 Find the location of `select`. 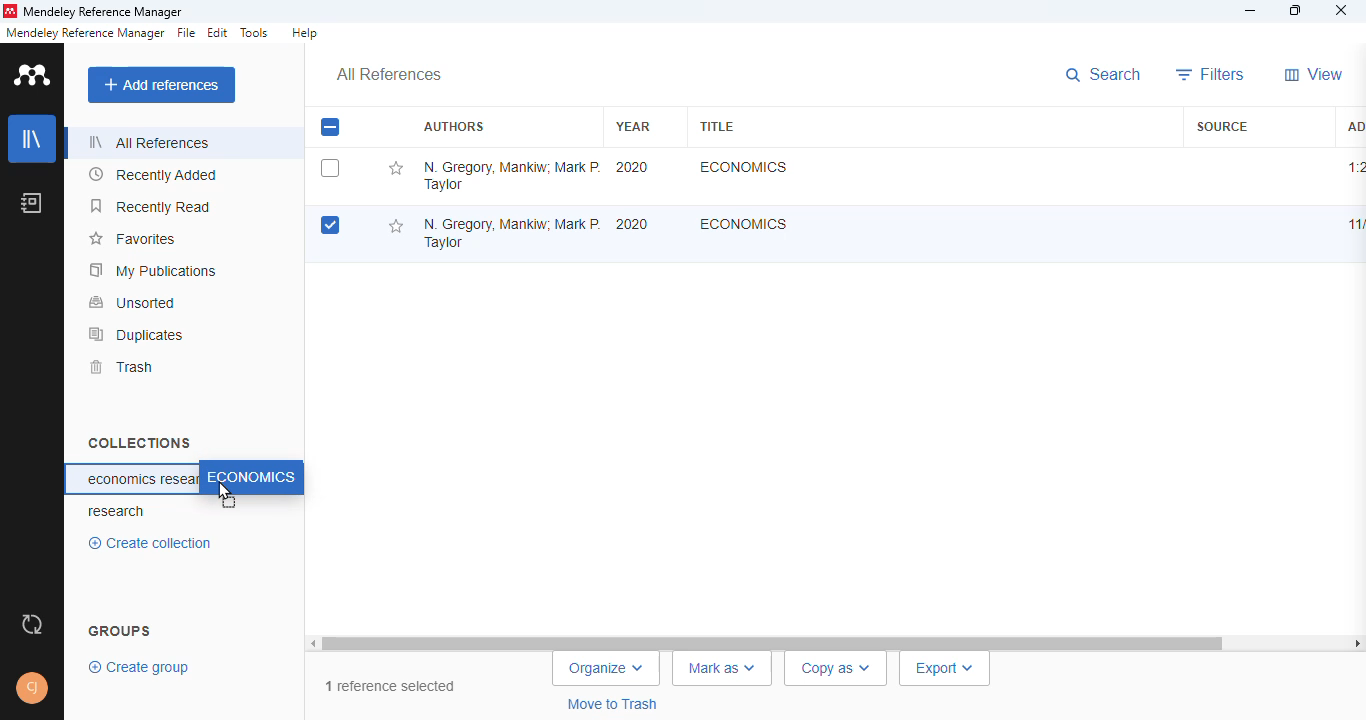

select is located at coordinates (330, 226).